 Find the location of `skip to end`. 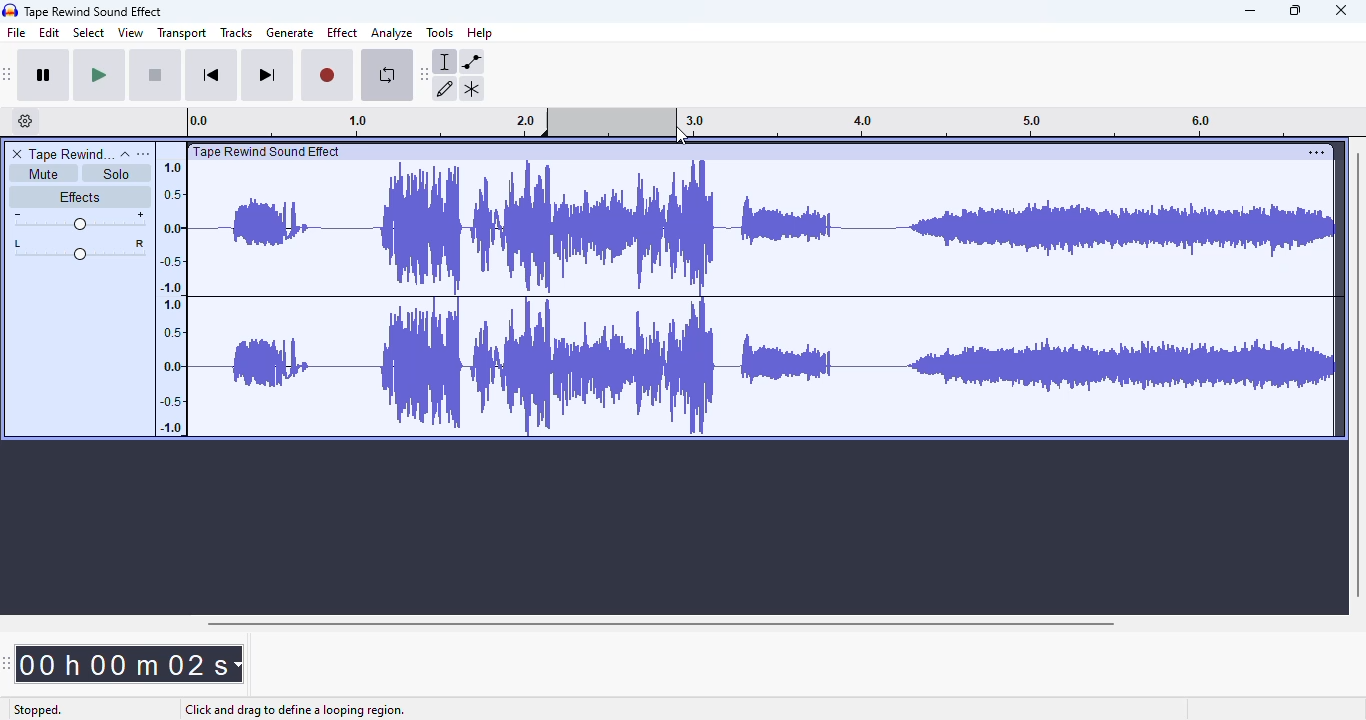

skip to end is located at coordinates (268, 75).